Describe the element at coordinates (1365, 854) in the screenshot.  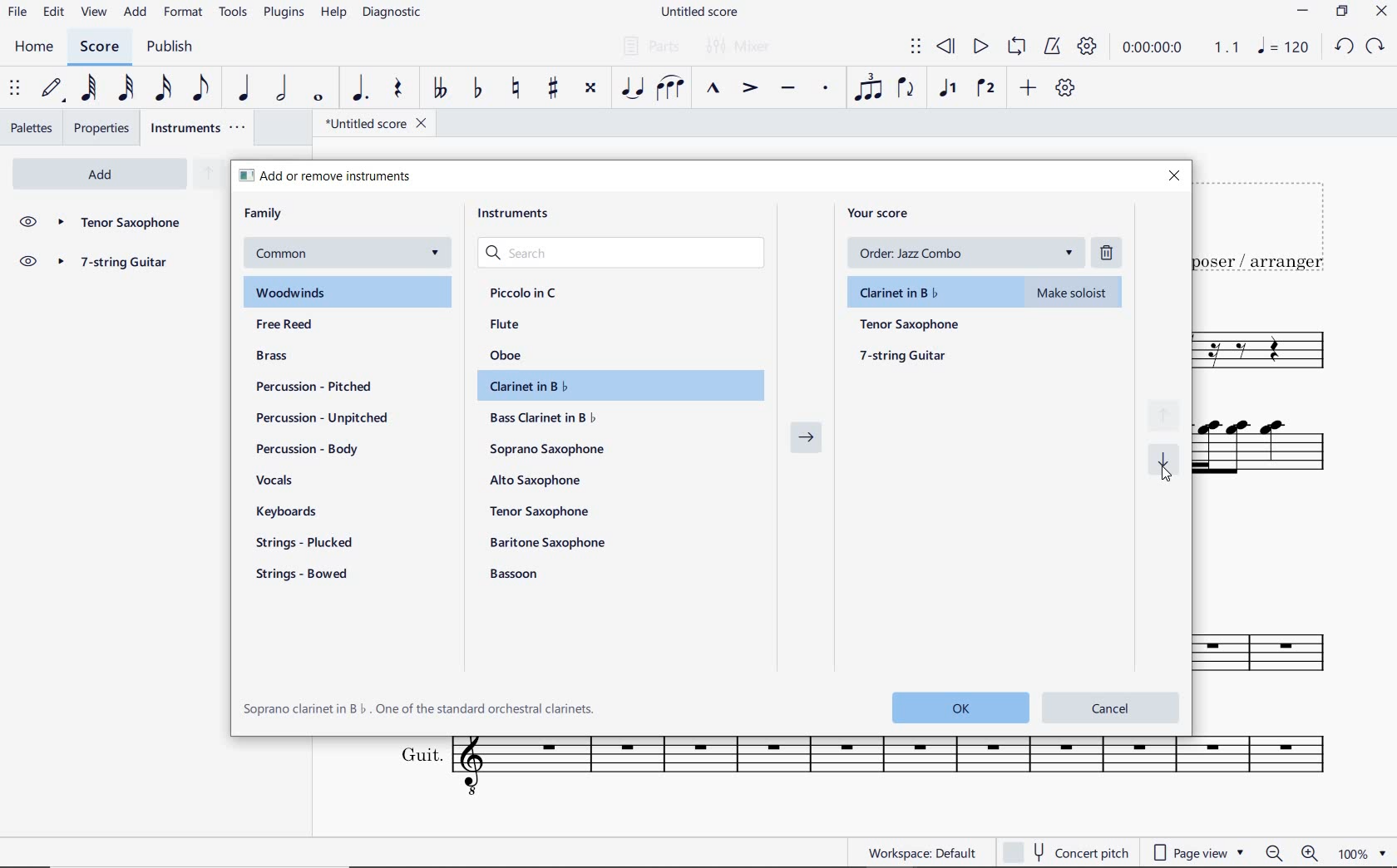
I see `zoom factor` at that location.